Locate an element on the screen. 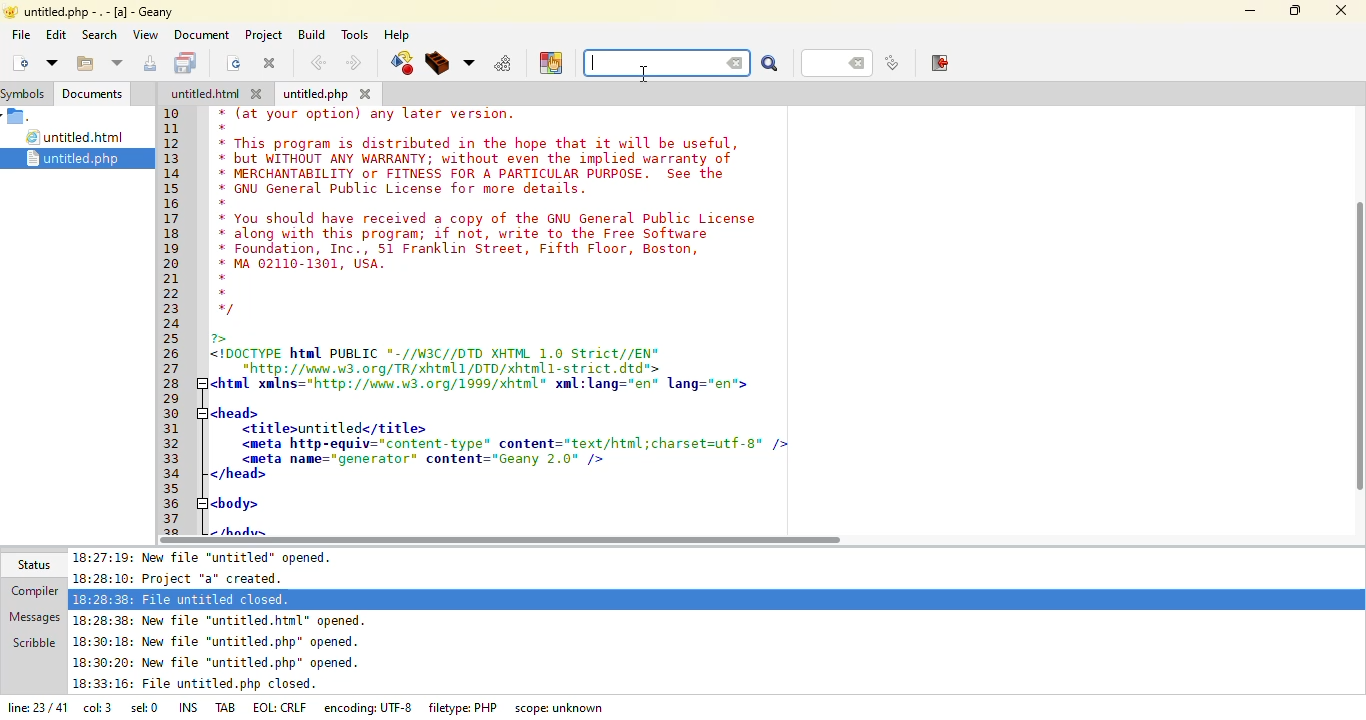 The width and height of the screenshot is (1366, 720). * Foundation, Inc., 51 Franklin Street, Fifth Floor, Boston, is located at coordinates (464, 250).